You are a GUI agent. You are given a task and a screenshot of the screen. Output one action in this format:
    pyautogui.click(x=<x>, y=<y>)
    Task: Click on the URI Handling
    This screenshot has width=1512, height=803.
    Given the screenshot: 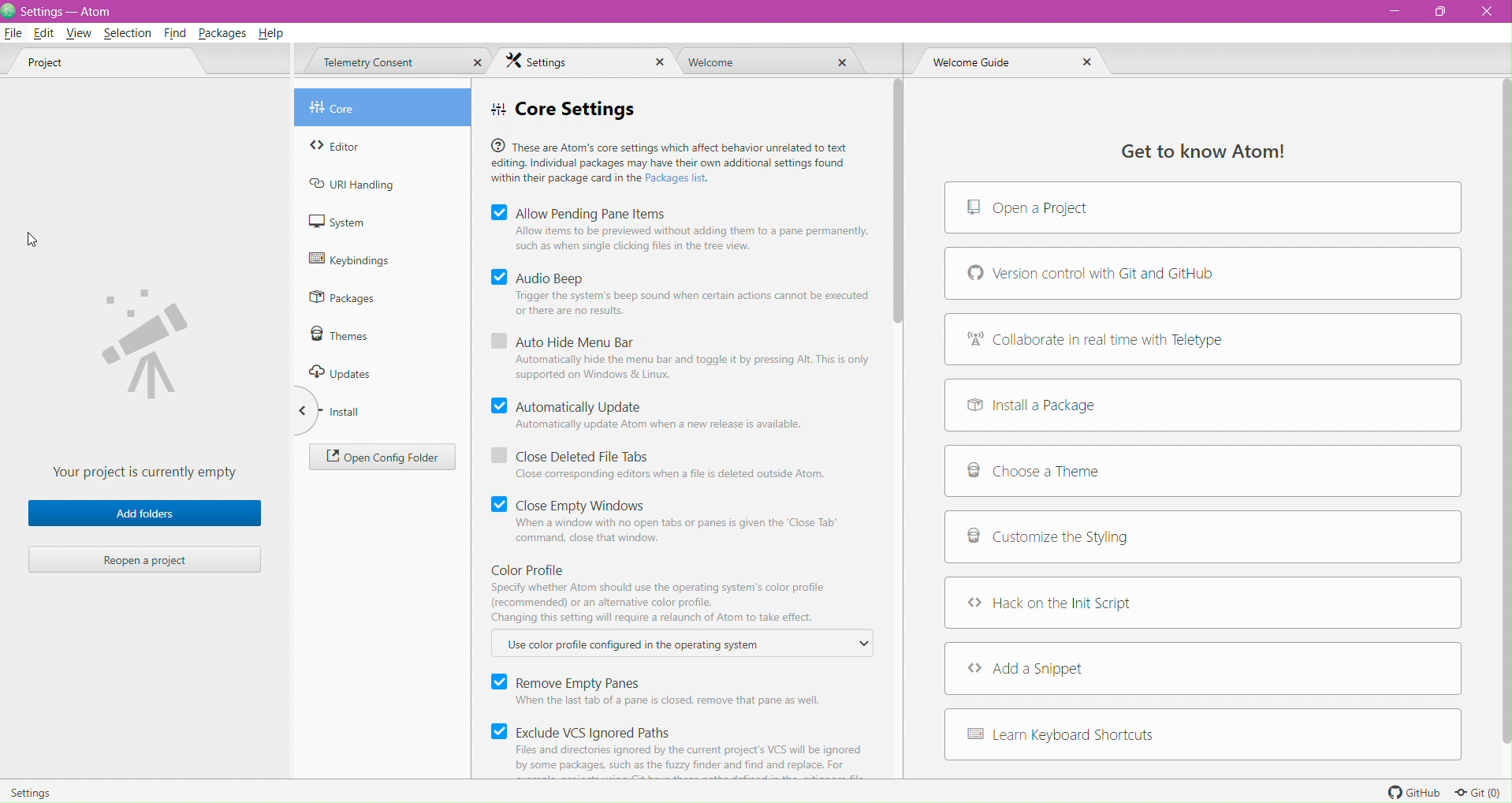 What is the action you would take?
    pyautogui.click(x=362, y=186)
    